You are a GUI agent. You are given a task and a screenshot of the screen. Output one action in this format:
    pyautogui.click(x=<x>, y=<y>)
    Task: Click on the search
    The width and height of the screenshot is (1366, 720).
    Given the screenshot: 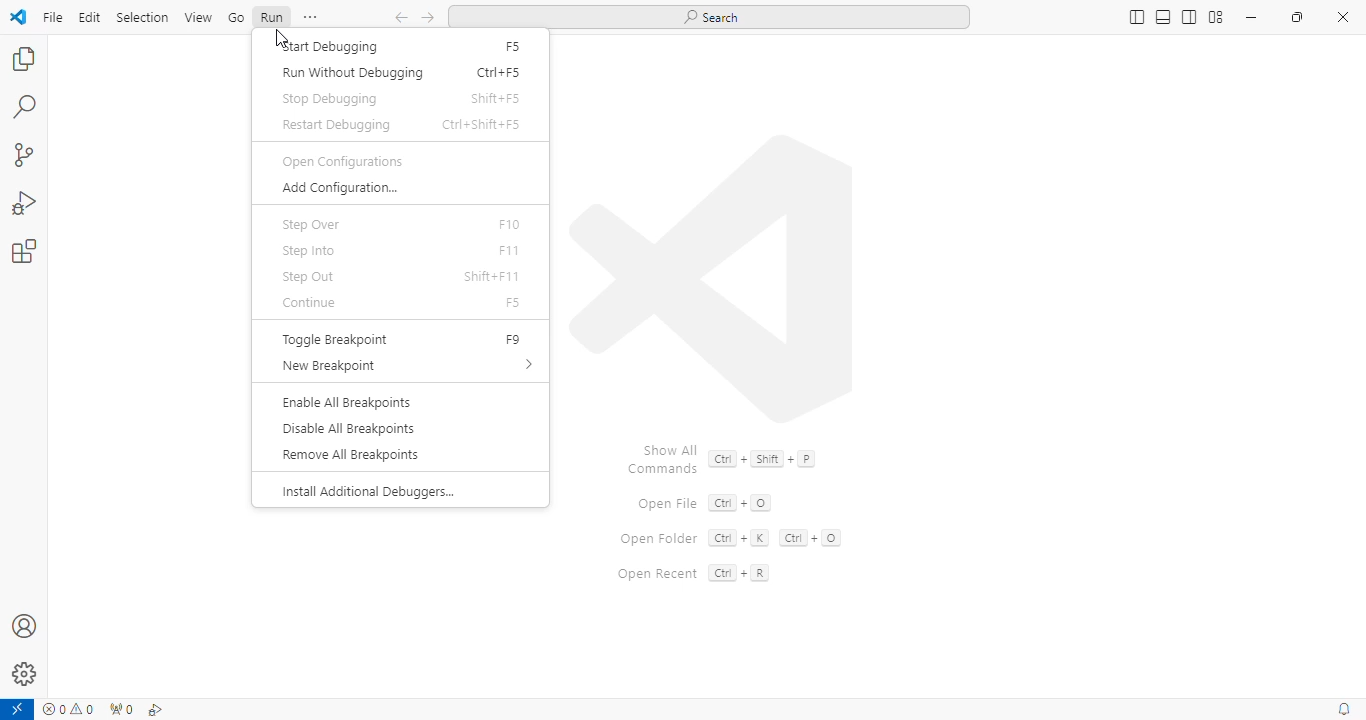 What is the action you would take?
    pyautogui.click(x=709, y=17)
    